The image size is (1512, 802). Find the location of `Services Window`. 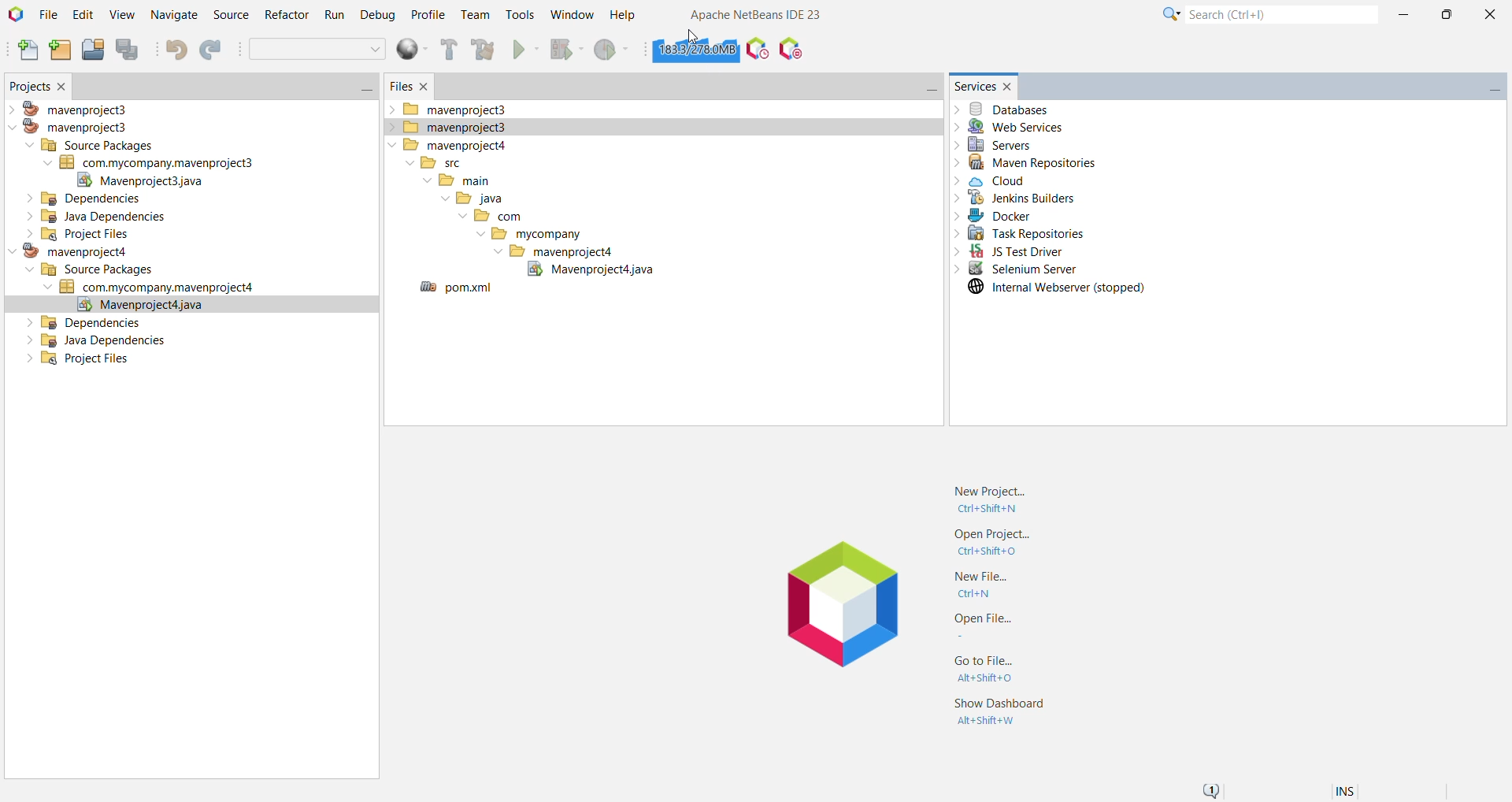

Services Window is located at coordinates (973, 86).